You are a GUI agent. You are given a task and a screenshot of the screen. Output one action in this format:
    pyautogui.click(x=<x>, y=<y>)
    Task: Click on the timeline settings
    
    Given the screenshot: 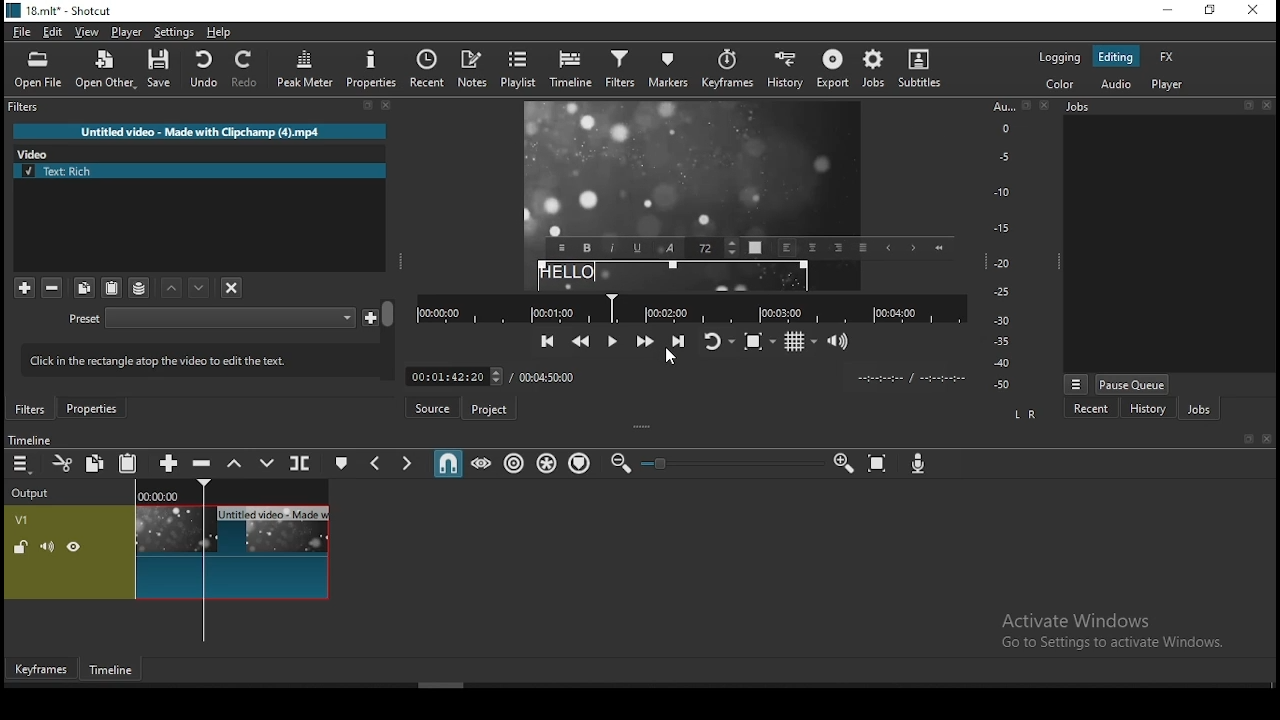 What is the action you would take?
    pyautogui.click(x=22, y=462)
    